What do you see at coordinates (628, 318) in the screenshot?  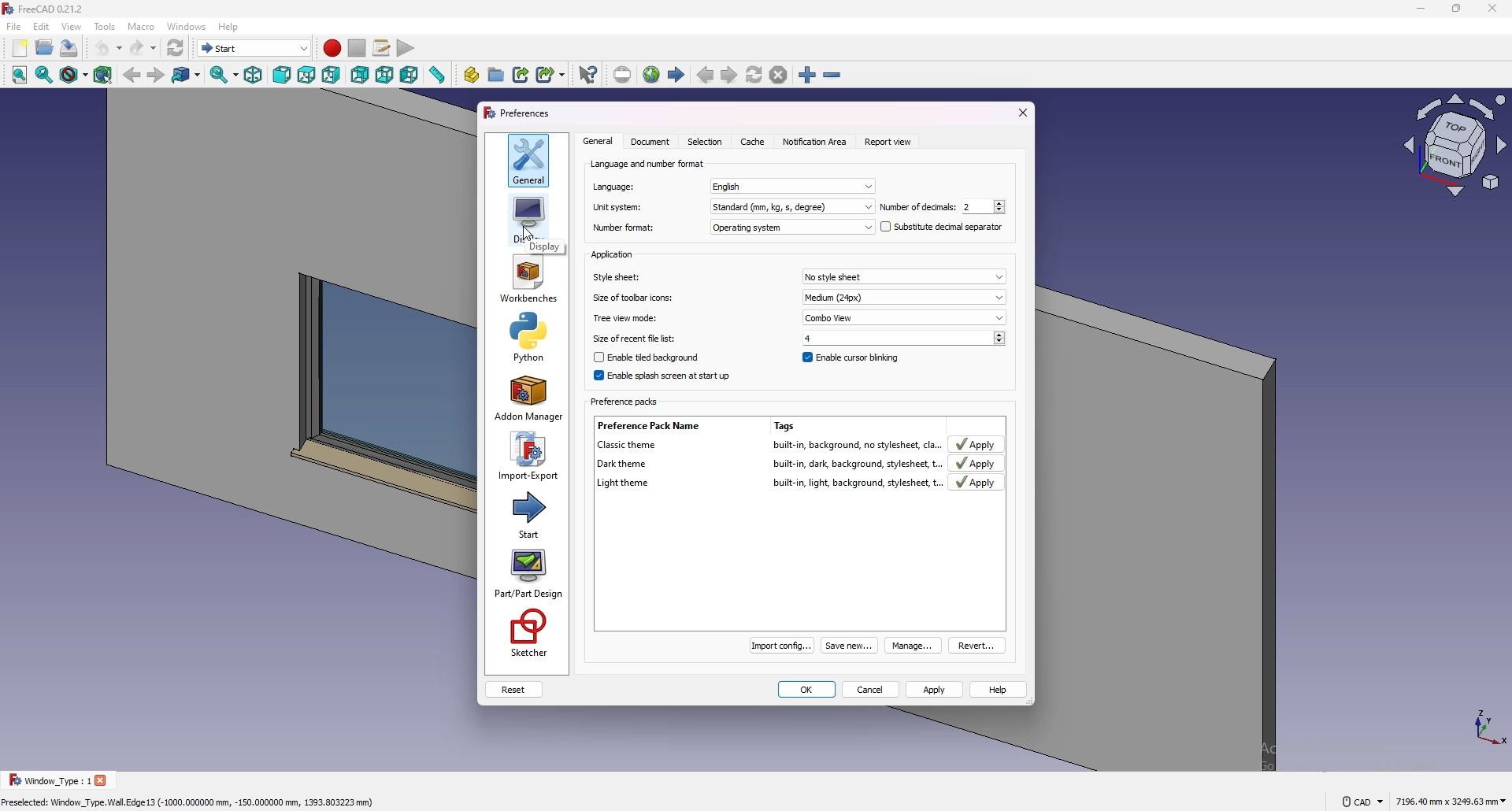 I see `Tree view mode:` at bounding box center [628, 318].